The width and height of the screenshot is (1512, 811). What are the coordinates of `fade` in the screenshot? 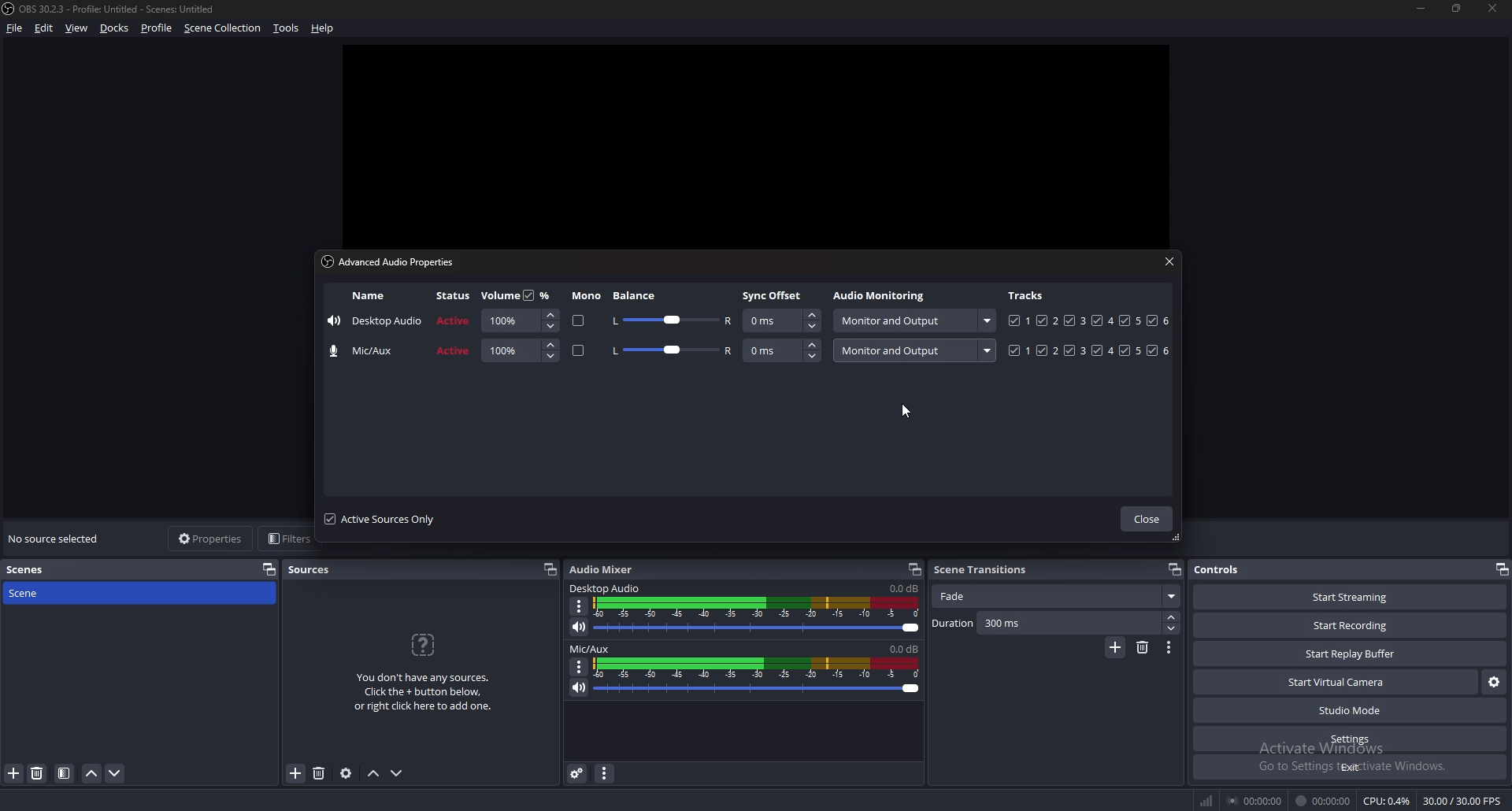 It's located at (1057, 596).